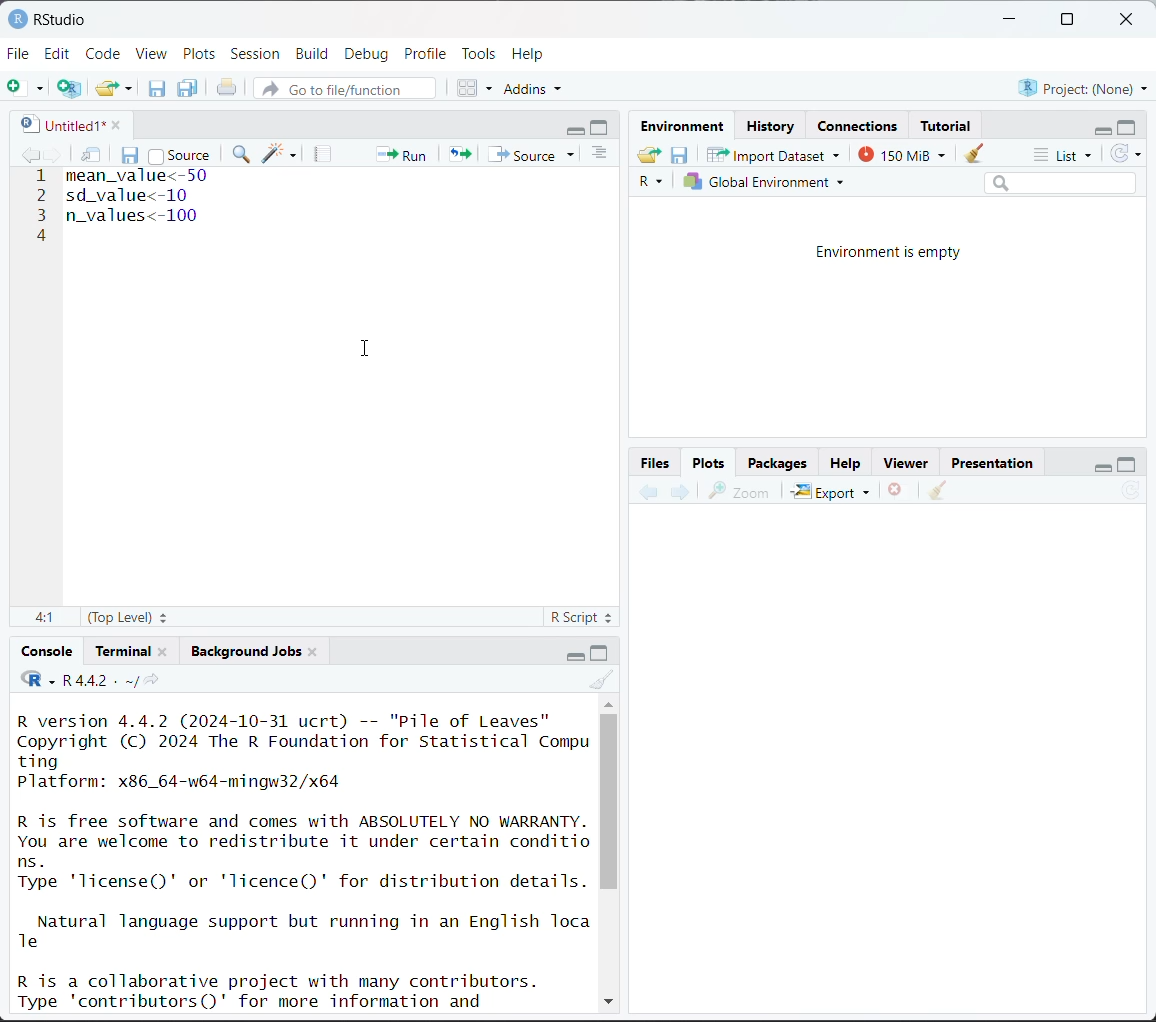 The image size is (1156, 1022). I want to click on maximize, so click(1128, 126).